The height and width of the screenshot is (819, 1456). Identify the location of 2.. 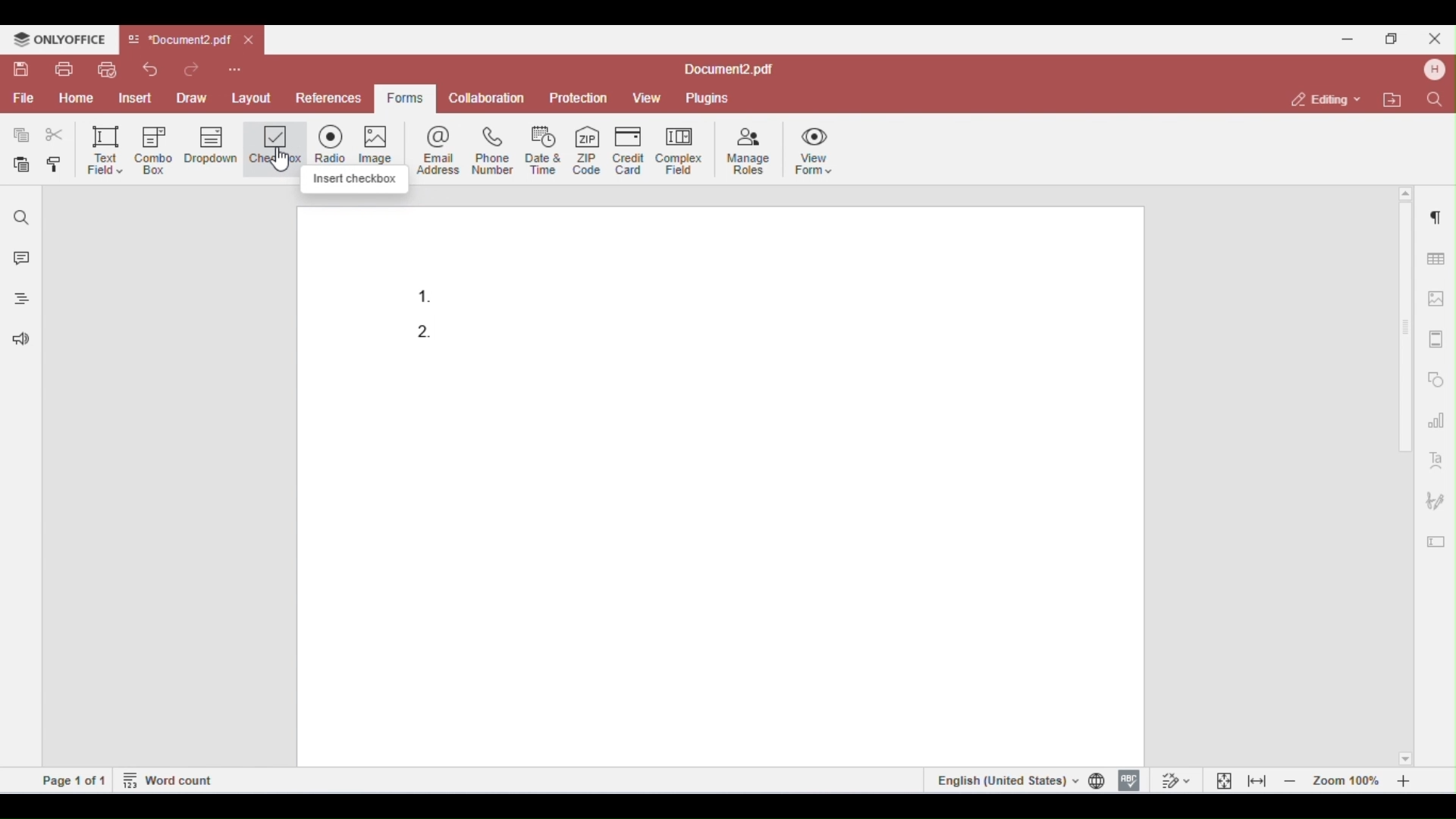
(425, 330).